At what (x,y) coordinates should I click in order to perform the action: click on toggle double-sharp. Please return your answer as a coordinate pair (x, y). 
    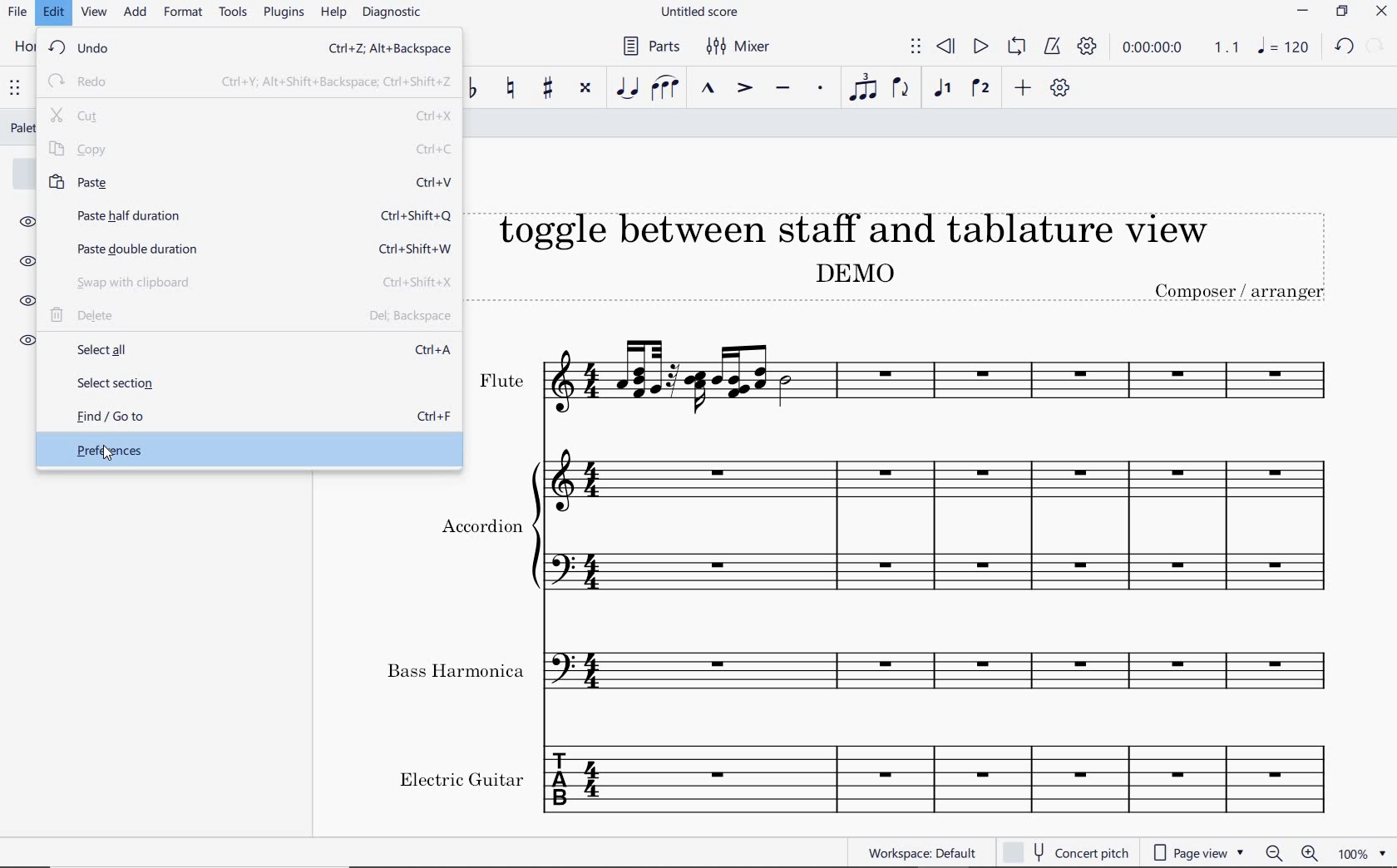
    Looking at the image, I should click on (586, 89).